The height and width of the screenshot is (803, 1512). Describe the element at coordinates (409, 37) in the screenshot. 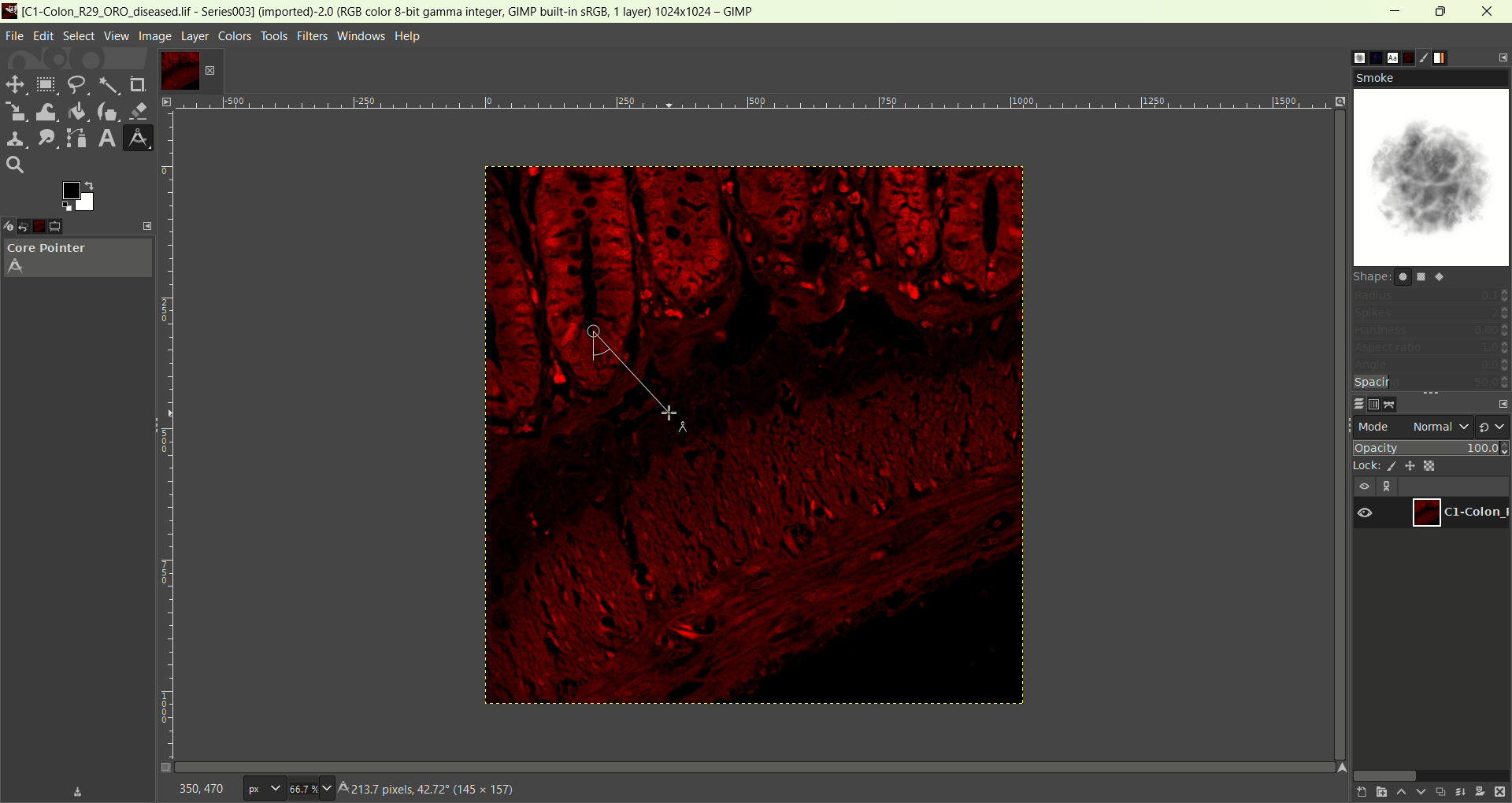

I see `help` at that location.